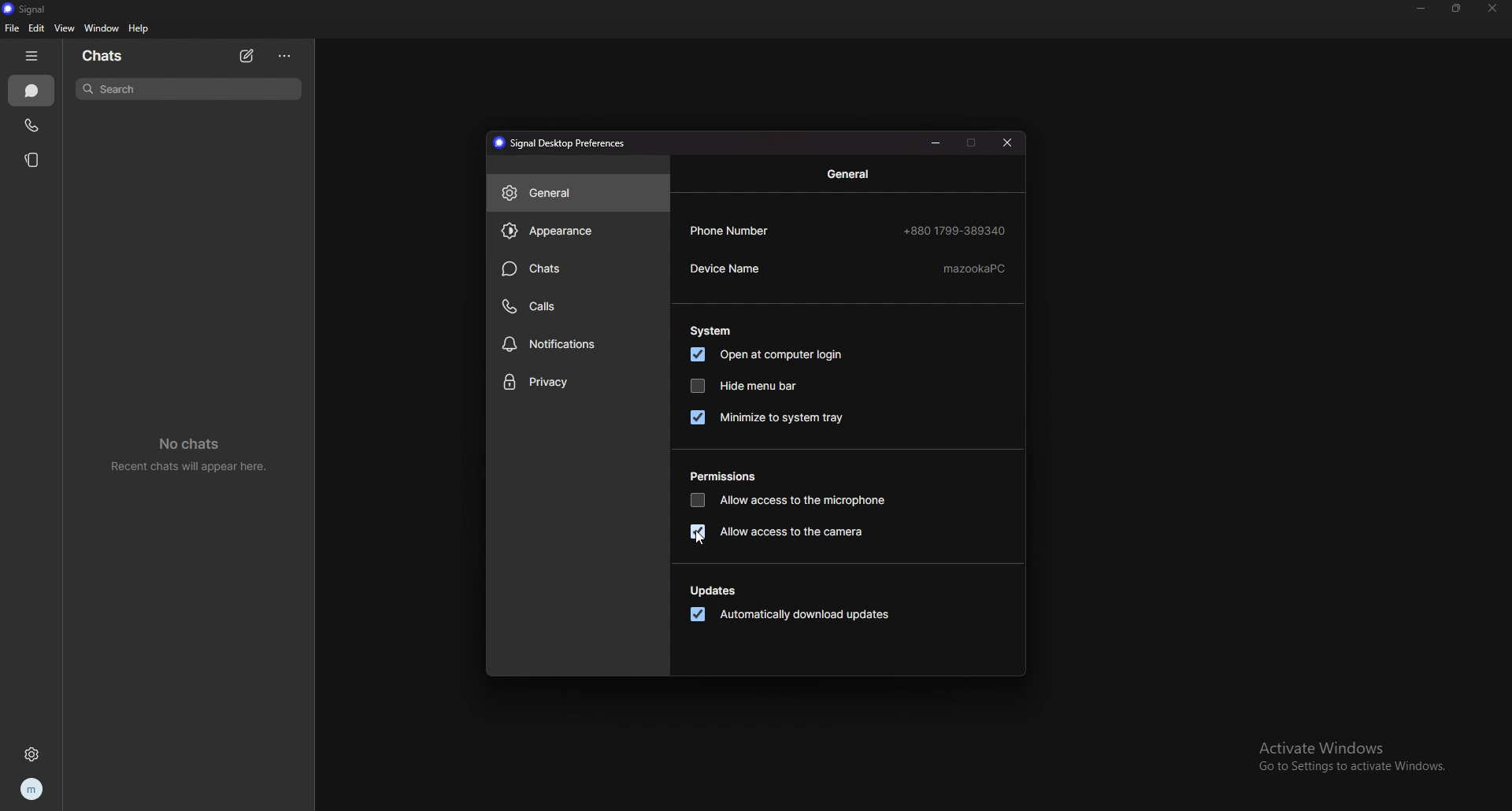  I want to click on hide tab, so click(31, 56).